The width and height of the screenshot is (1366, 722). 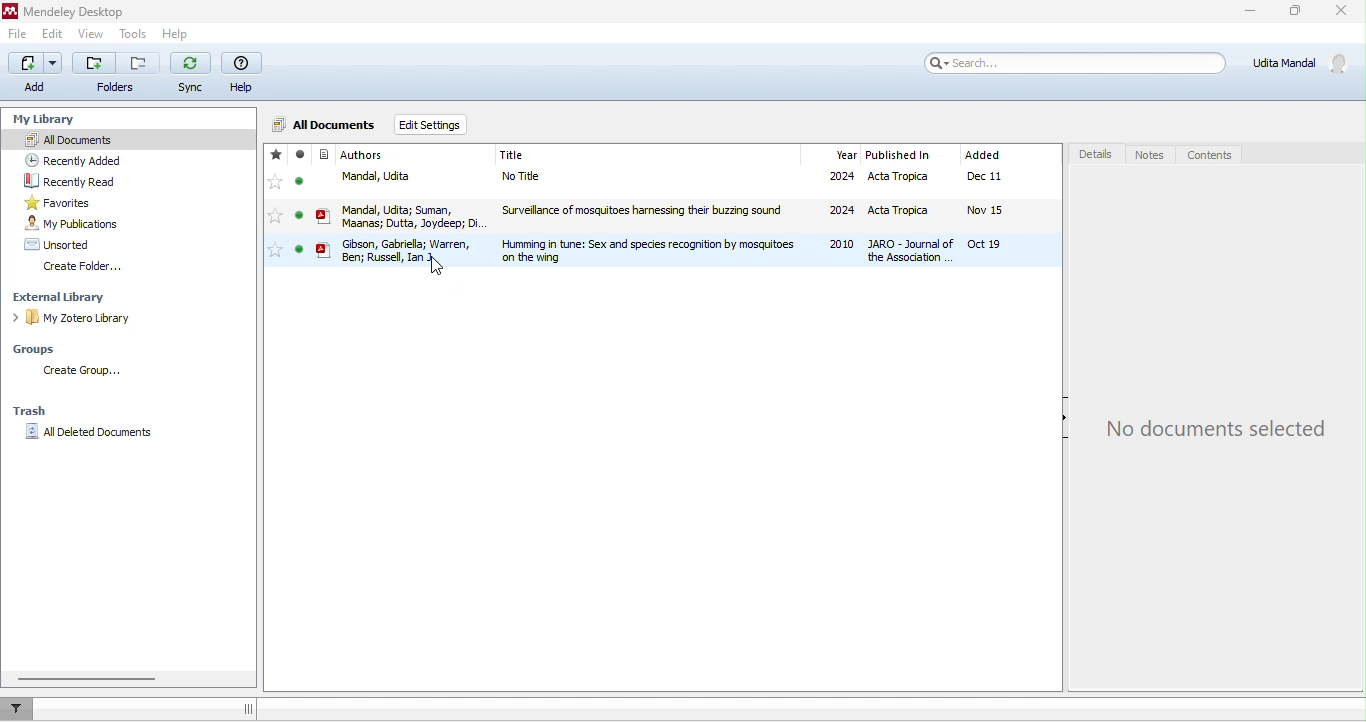 I want to click on year, so click(x=846, y=156).